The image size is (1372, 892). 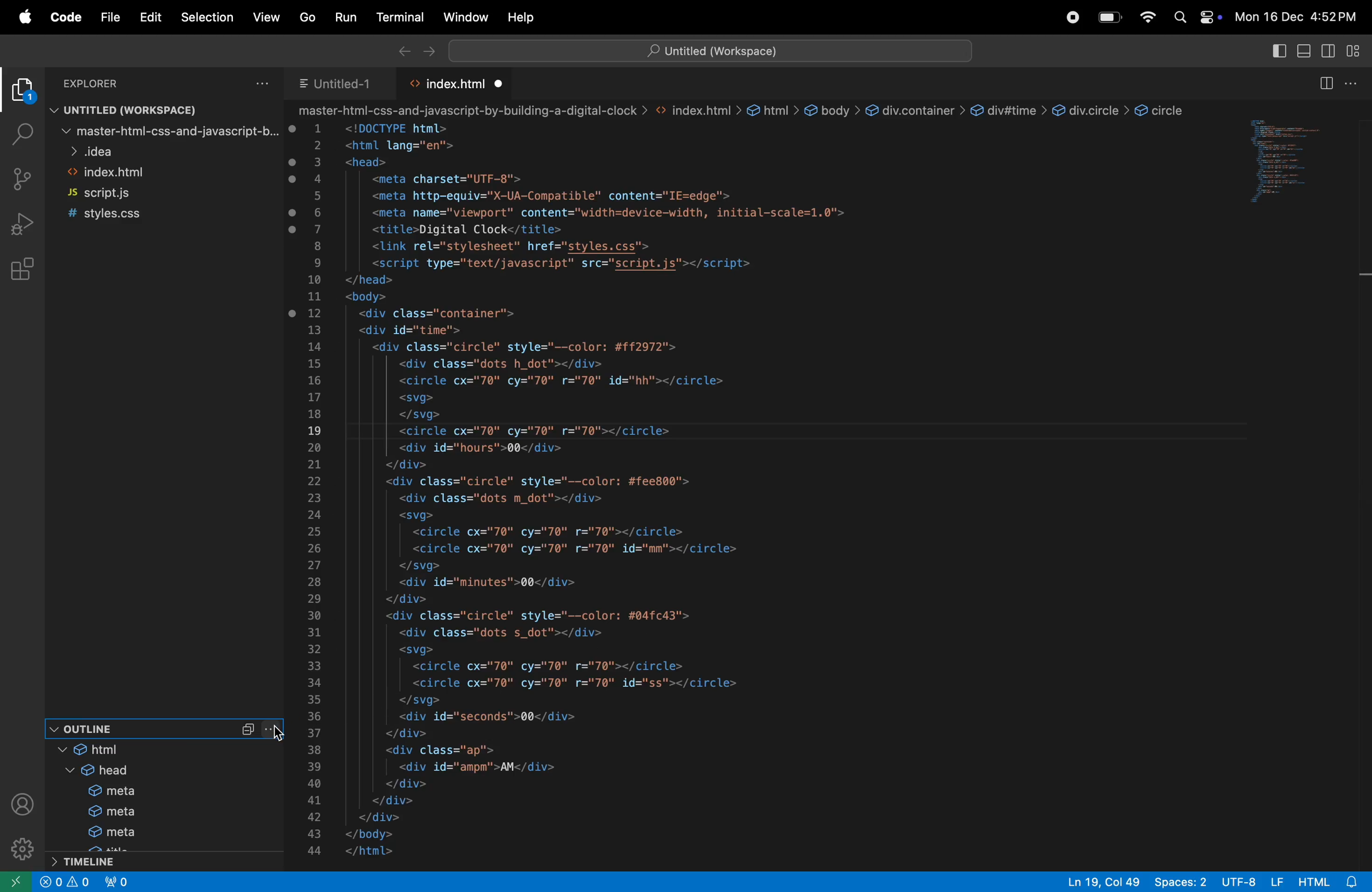 What do you see at coordinates (1325, 882) in the screenshot?
I see `html alert` at bounding box center [1325, 882].